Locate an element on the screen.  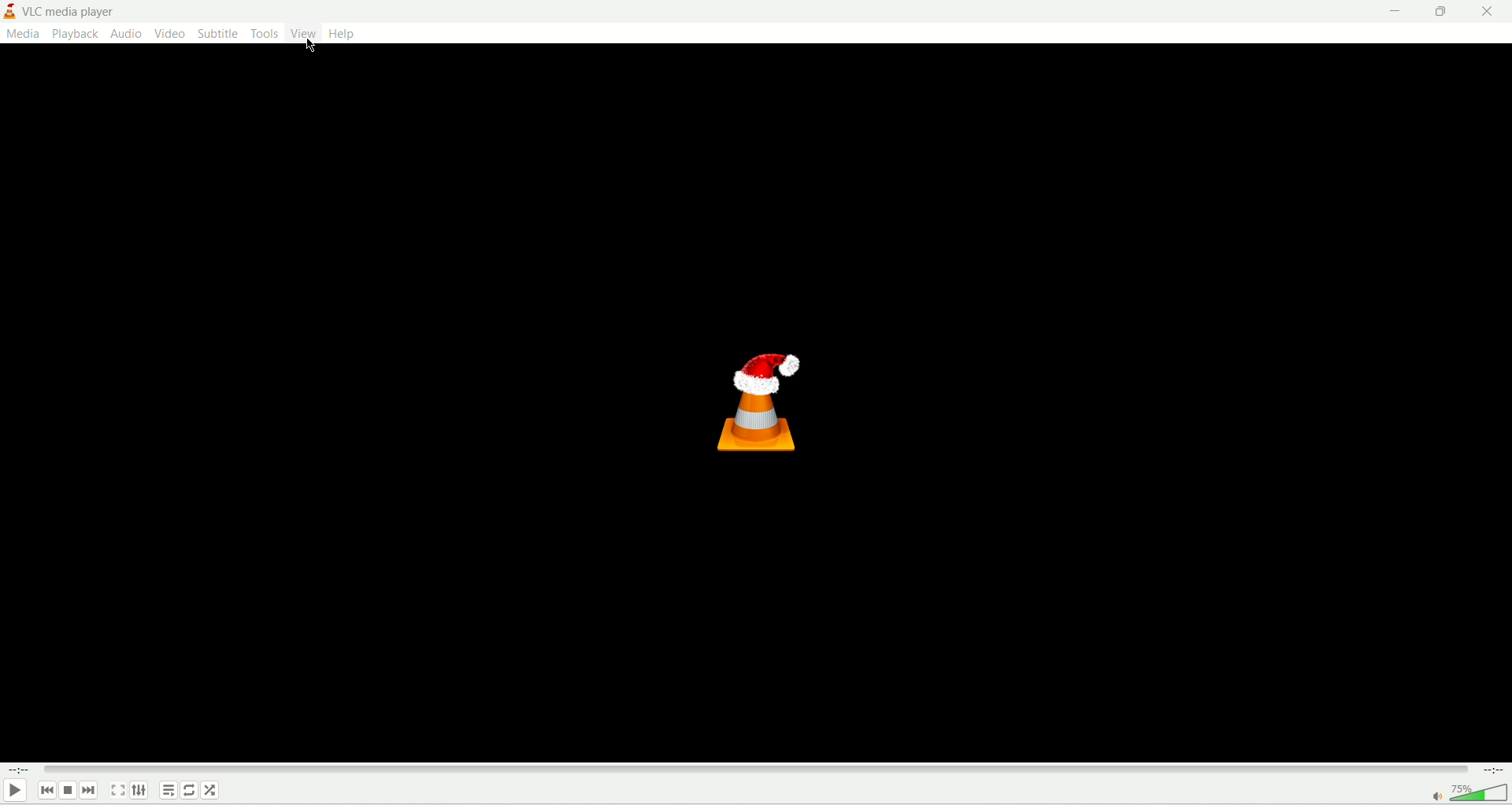
video is located at coordinates (169, 34).